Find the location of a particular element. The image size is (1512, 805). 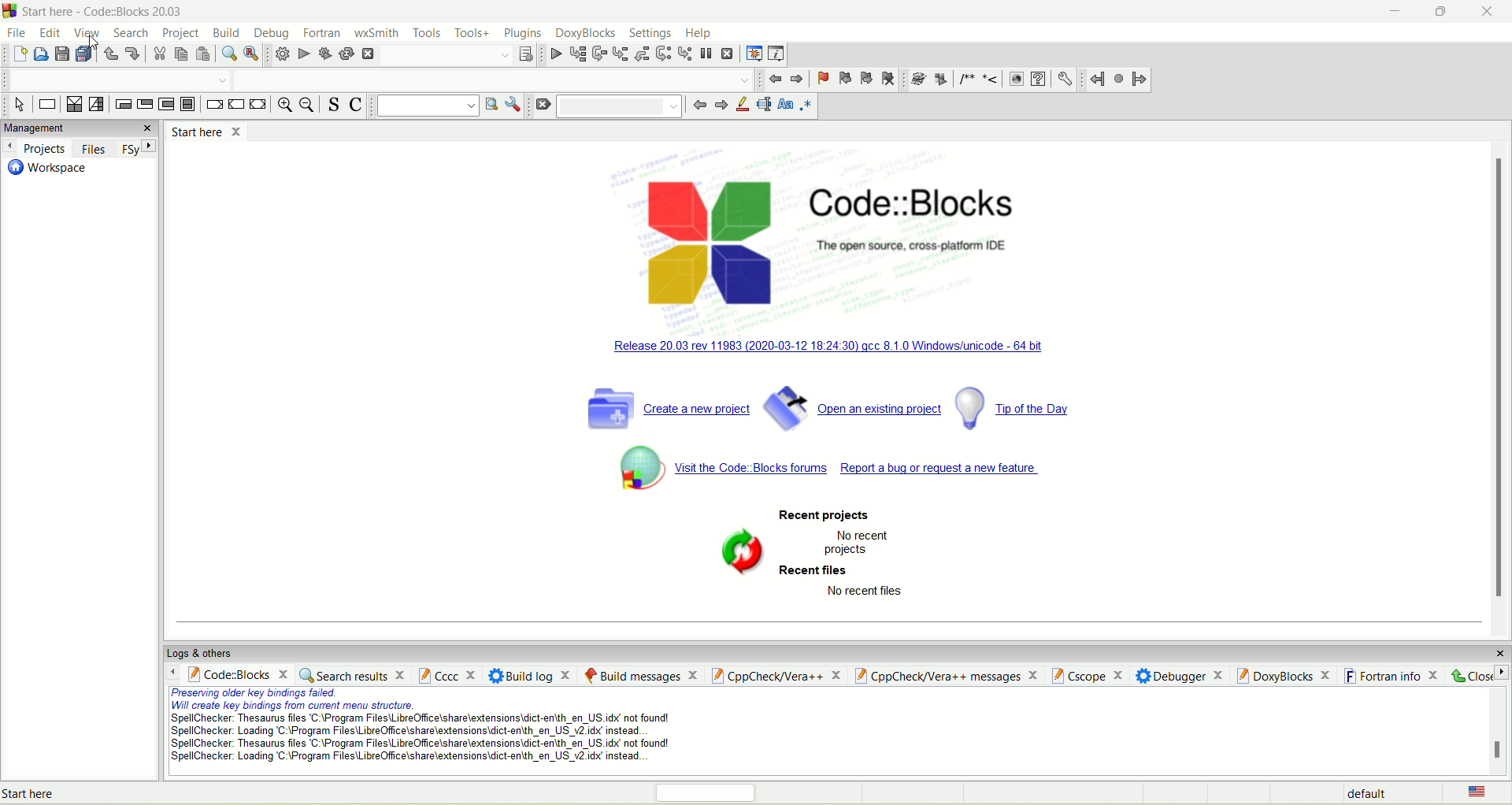

fortan info is located at coordinates (1392, 673).